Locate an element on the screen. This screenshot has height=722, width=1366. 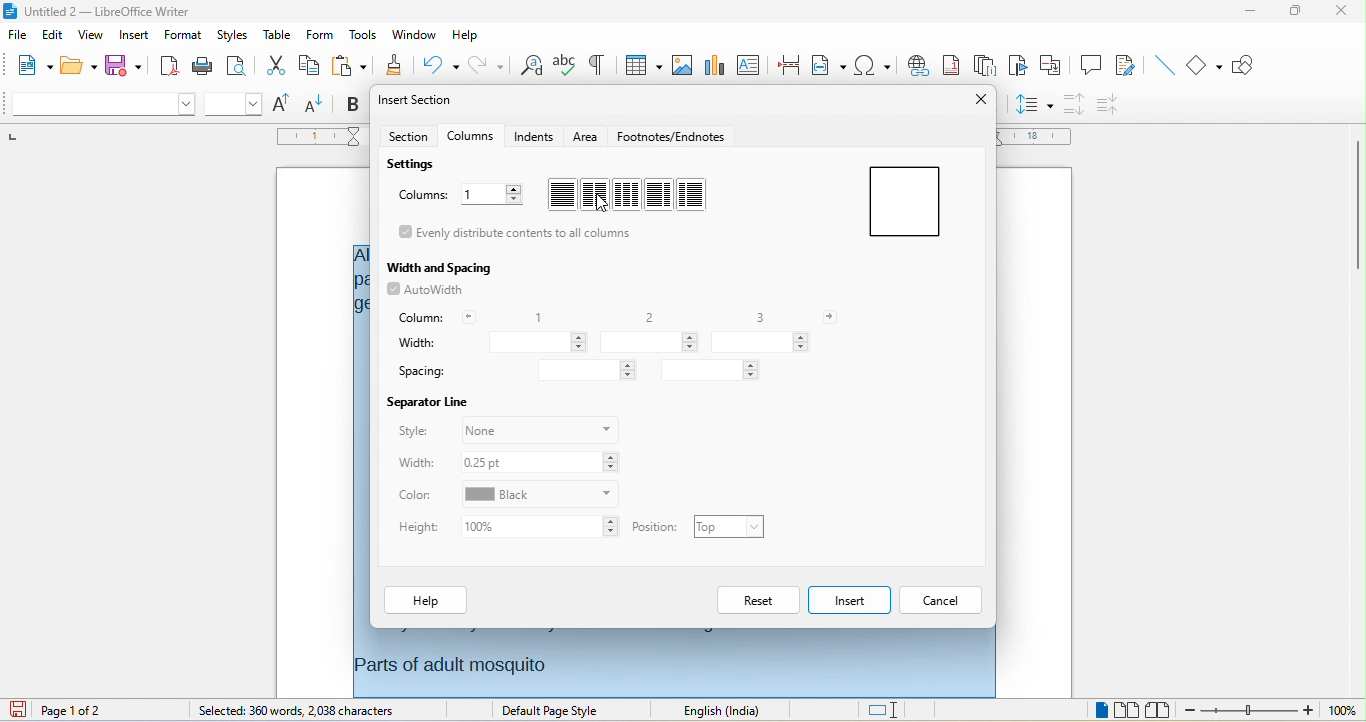
styles is located at coordinates (233, 34).